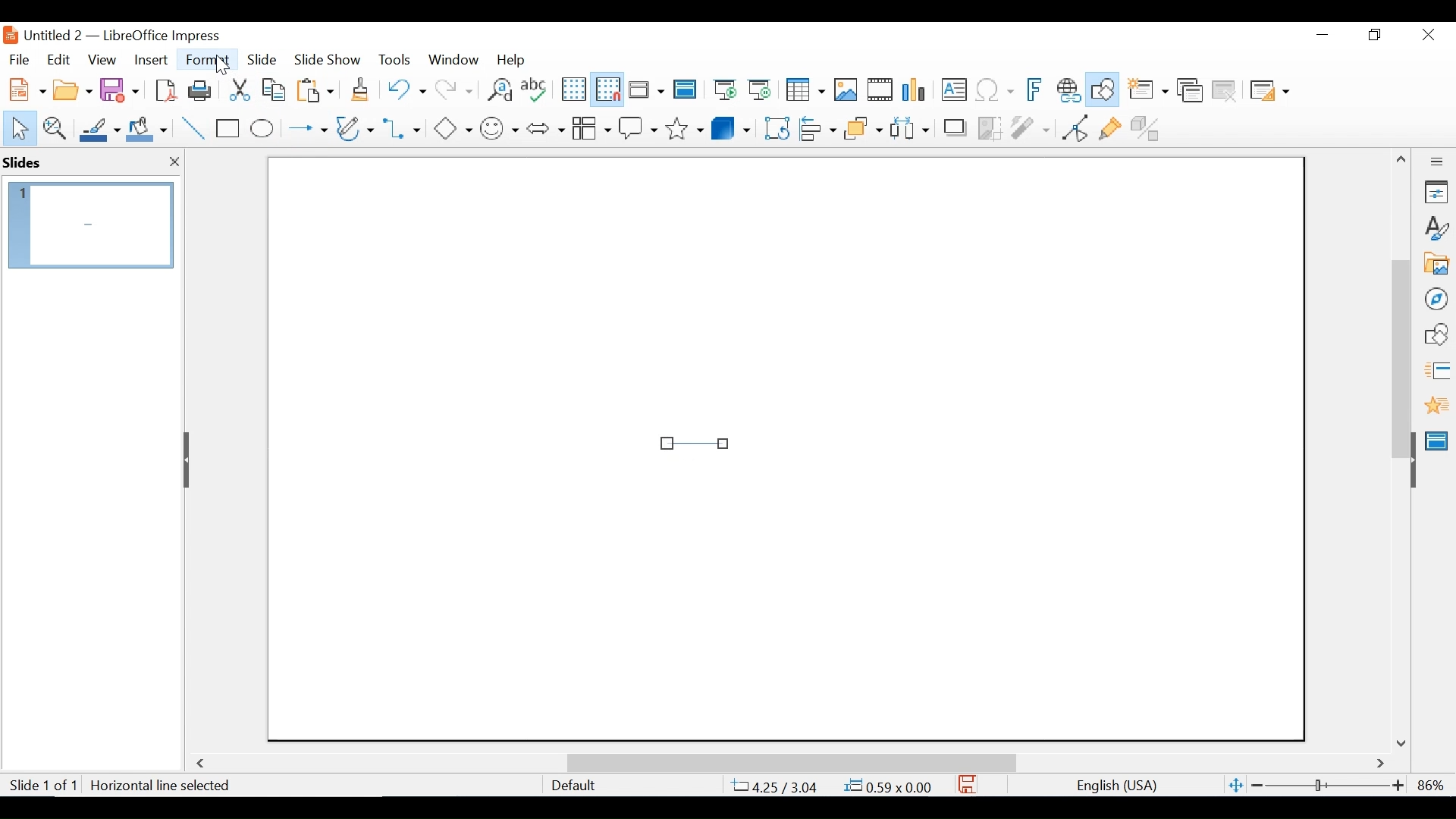 This screenshot has width=1456, height=819. Describe the element at coordinates (1321, 35) in the screenshot. I see `Minimize` at that location.